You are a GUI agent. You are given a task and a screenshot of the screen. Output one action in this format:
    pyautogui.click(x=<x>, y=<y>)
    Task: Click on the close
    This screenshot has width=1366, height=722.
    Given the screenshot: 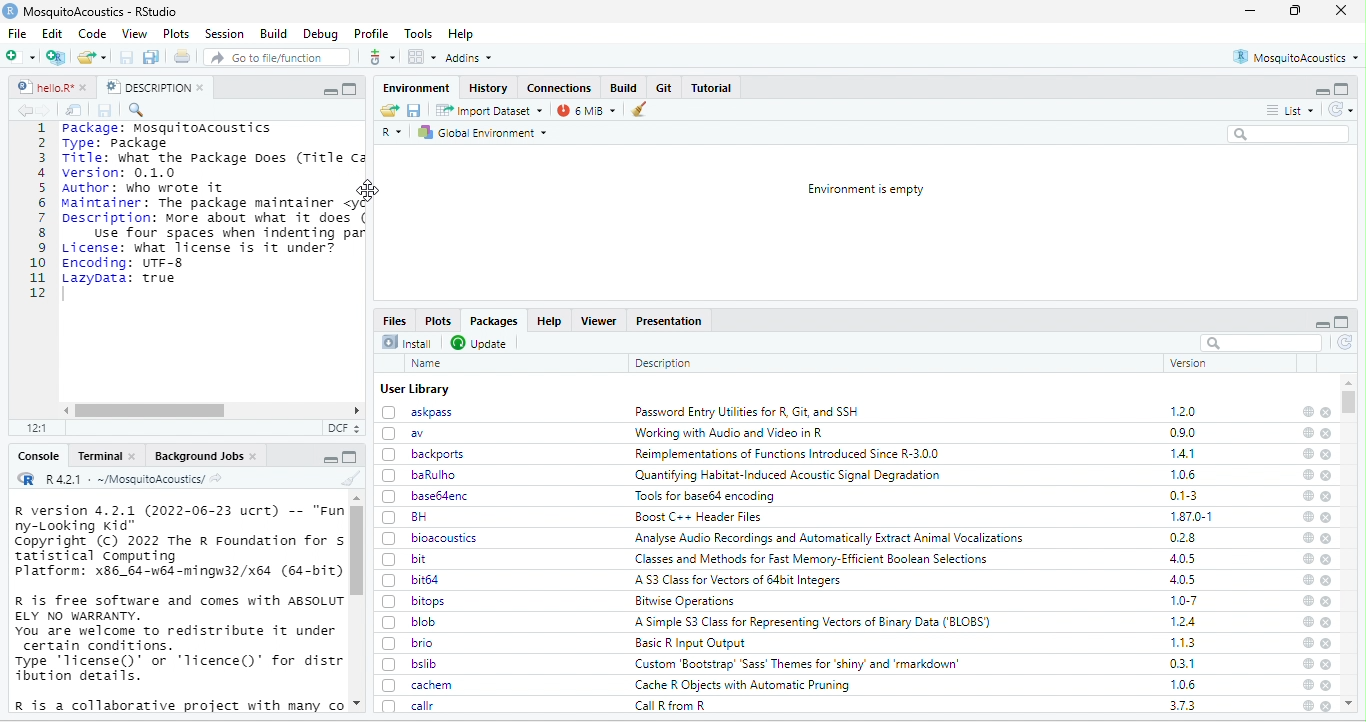 What is the action you would take?
    pyautogui.click(x=1327, y=455)
    